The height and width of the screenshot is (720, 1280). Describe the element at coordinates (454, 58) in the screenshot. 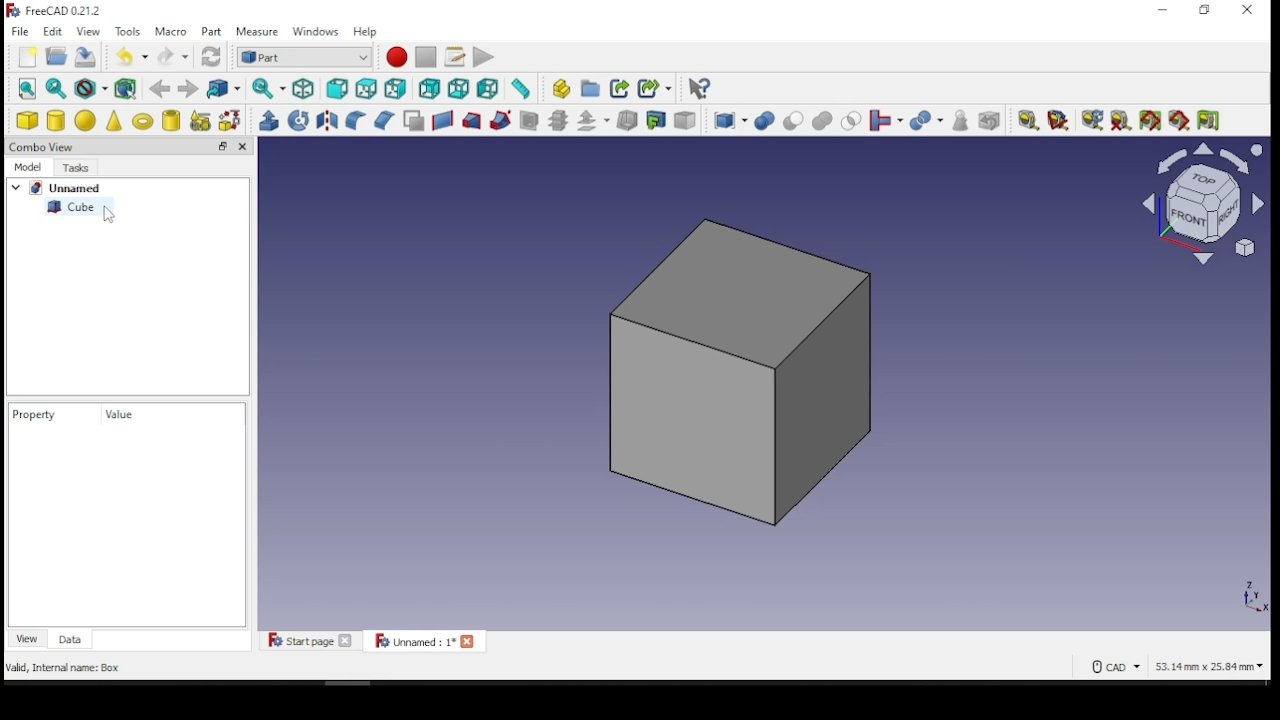

I see `macros` at that location.